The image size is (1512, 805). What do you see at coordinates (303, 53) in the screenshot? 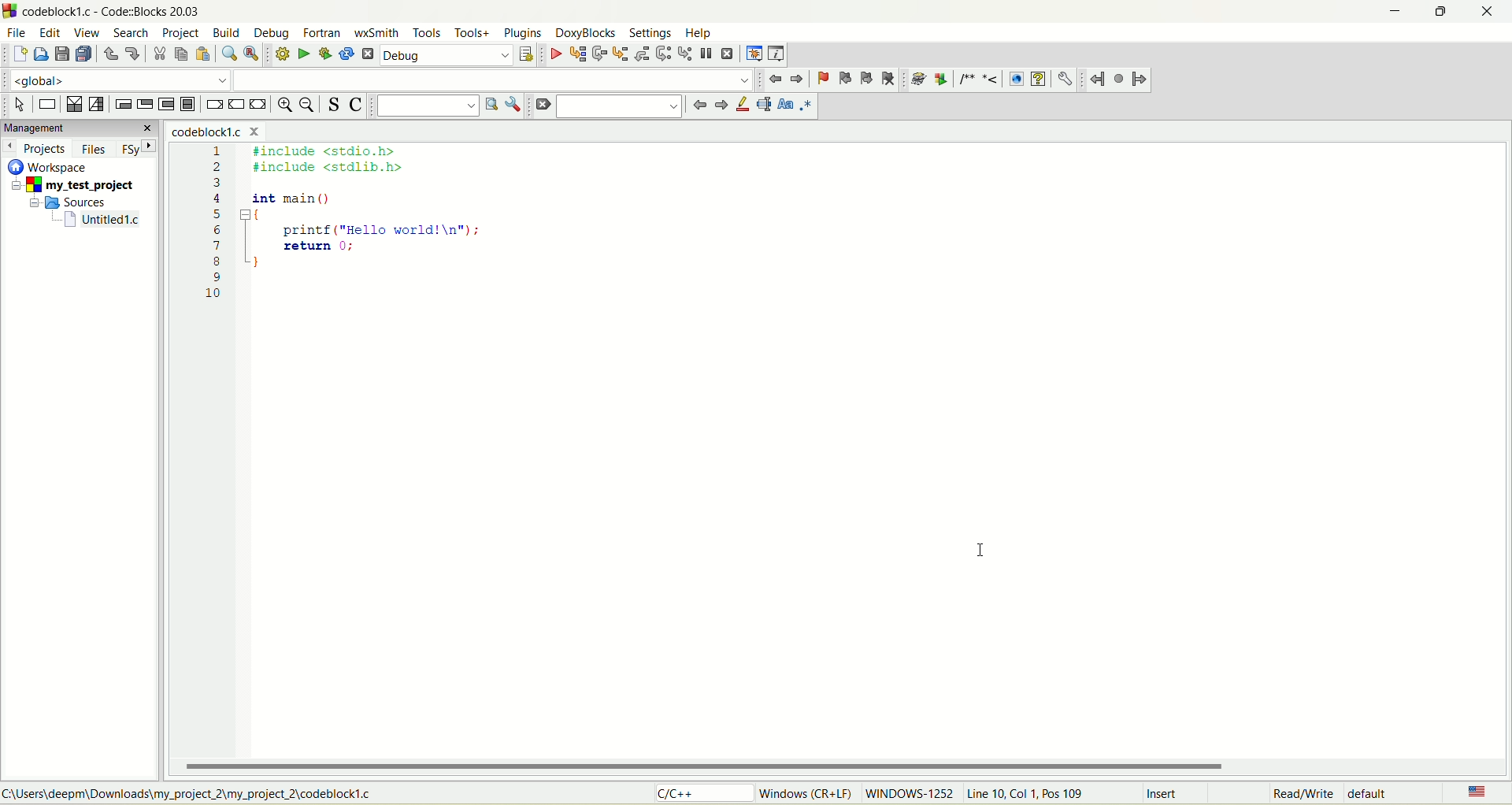
I see `run` at bounding box center [303, 53].